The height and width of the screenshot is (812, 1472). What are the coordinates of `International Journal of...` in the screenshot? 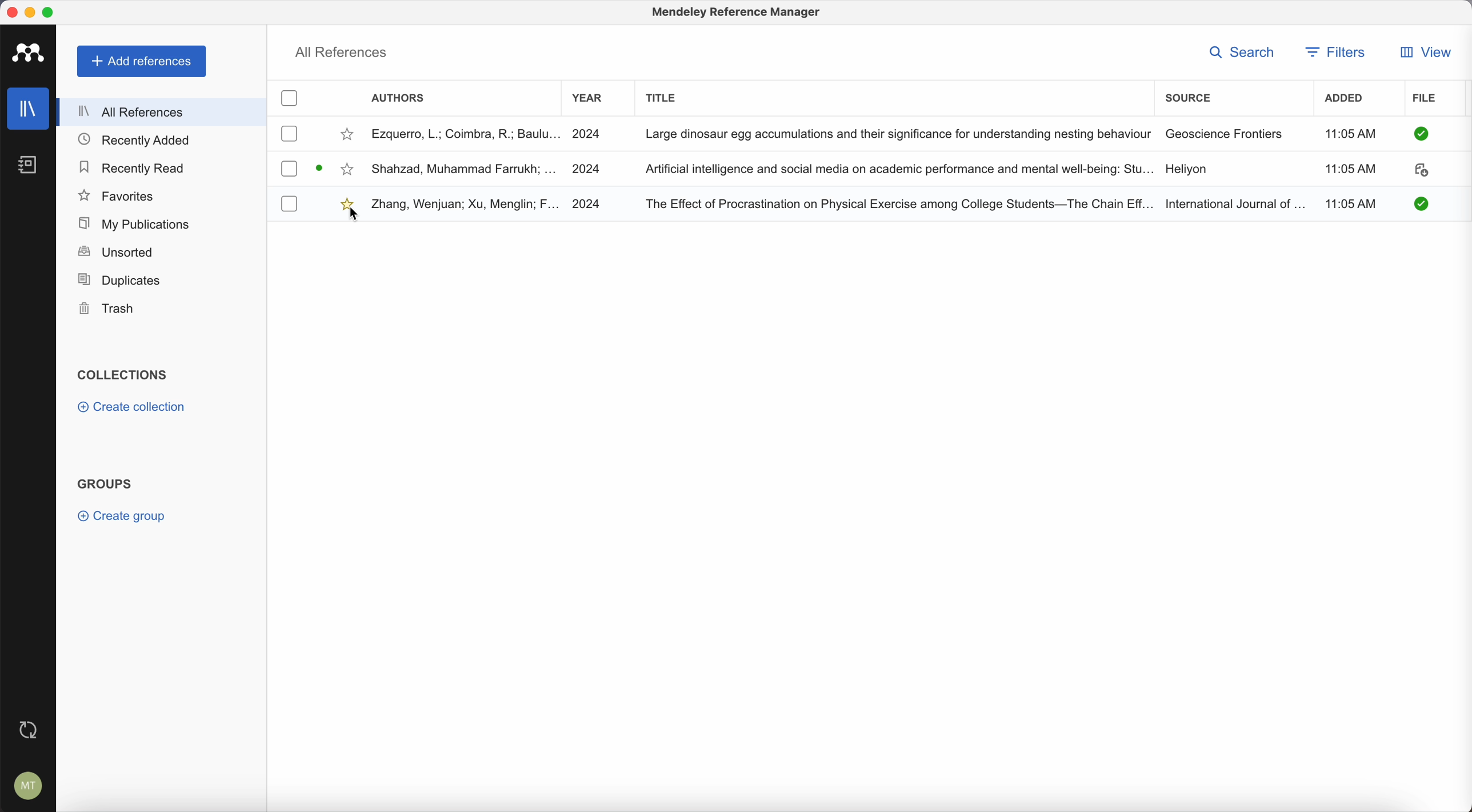 It's located at (1235, 202).